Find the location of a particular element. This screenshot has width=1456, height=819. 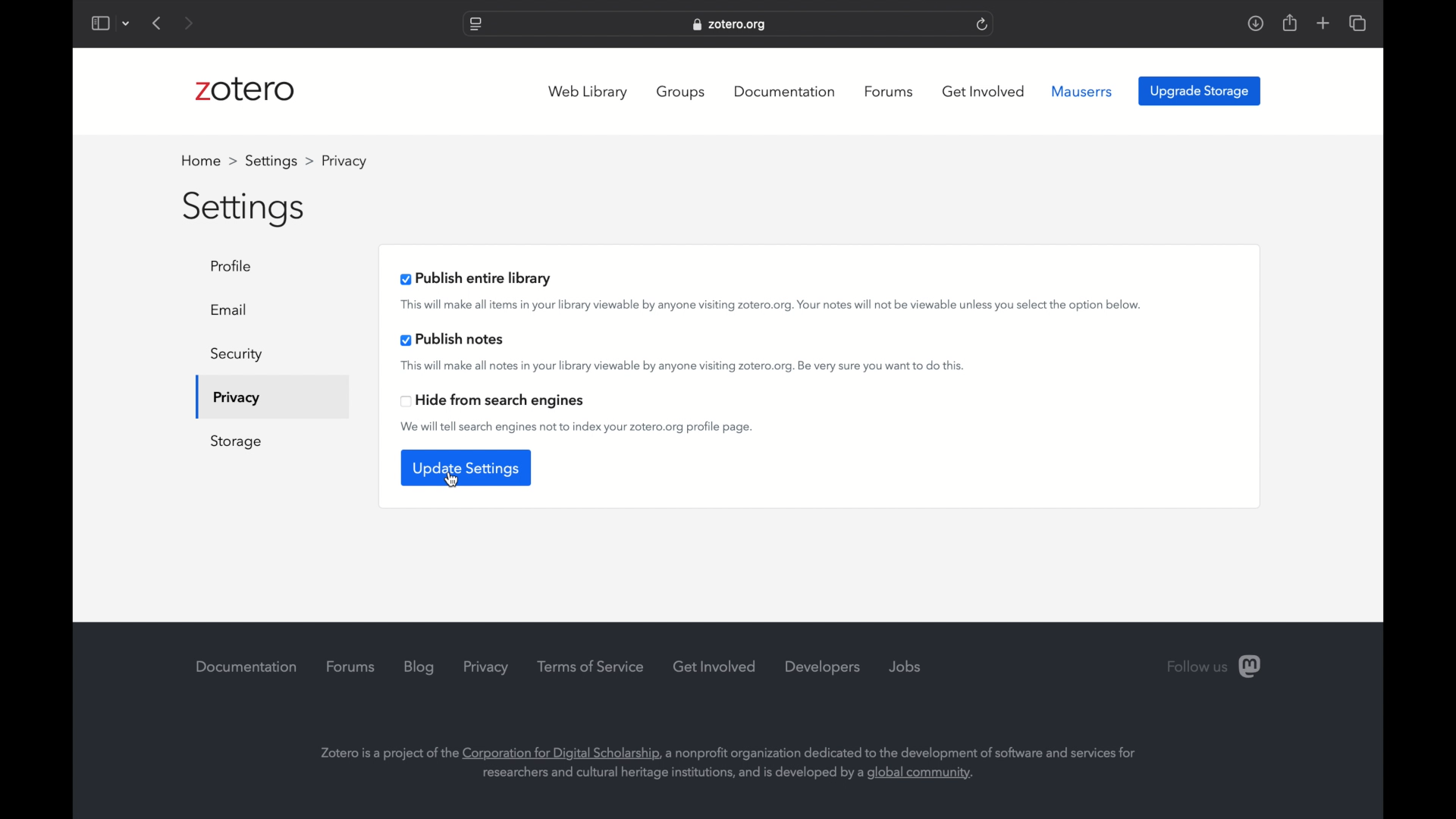

add is located at coordinates (1323, 23).